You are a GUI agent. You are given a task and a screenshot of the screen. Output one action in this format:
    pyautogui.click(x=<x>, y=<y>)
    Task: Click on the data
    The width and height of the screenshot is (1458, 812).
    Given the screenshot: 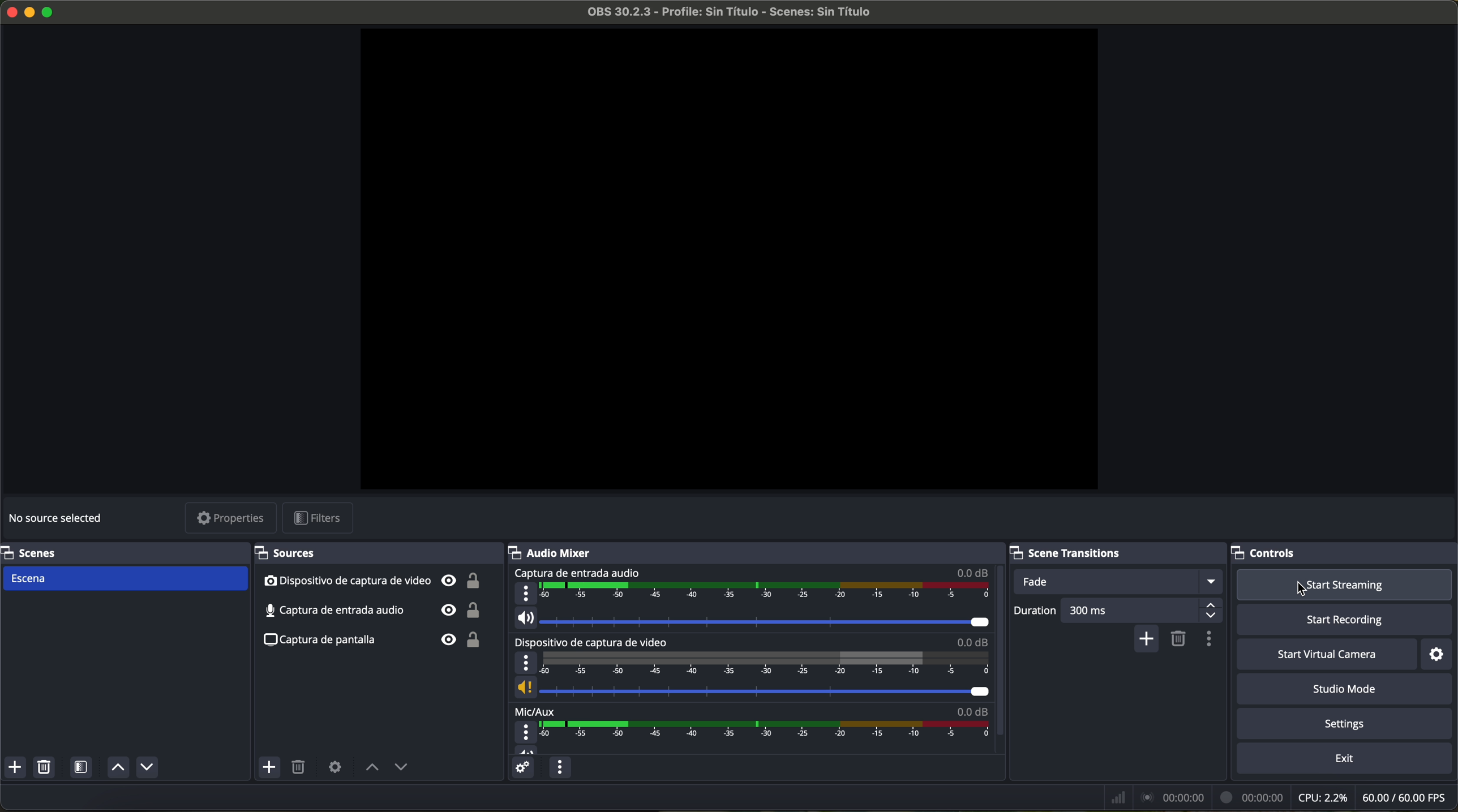 What is the action you would take?
    pyautogui.click(x=1277, y=797)
    